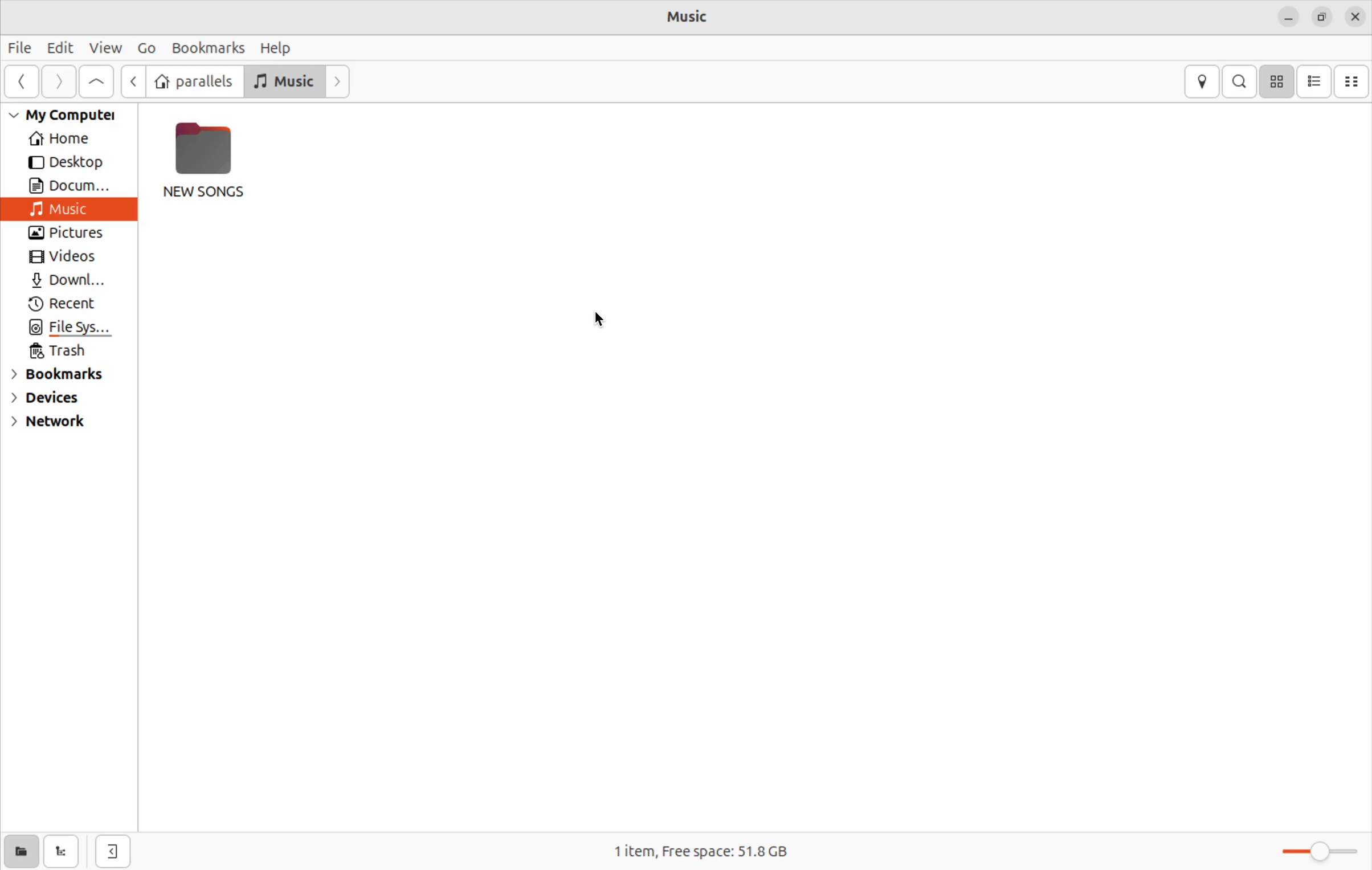 The width and height of the screenshot is (1372, 870). What do you see at coordinates (281, 47) in the screenshot?
I see `Help` at bounding box center [281, 47].